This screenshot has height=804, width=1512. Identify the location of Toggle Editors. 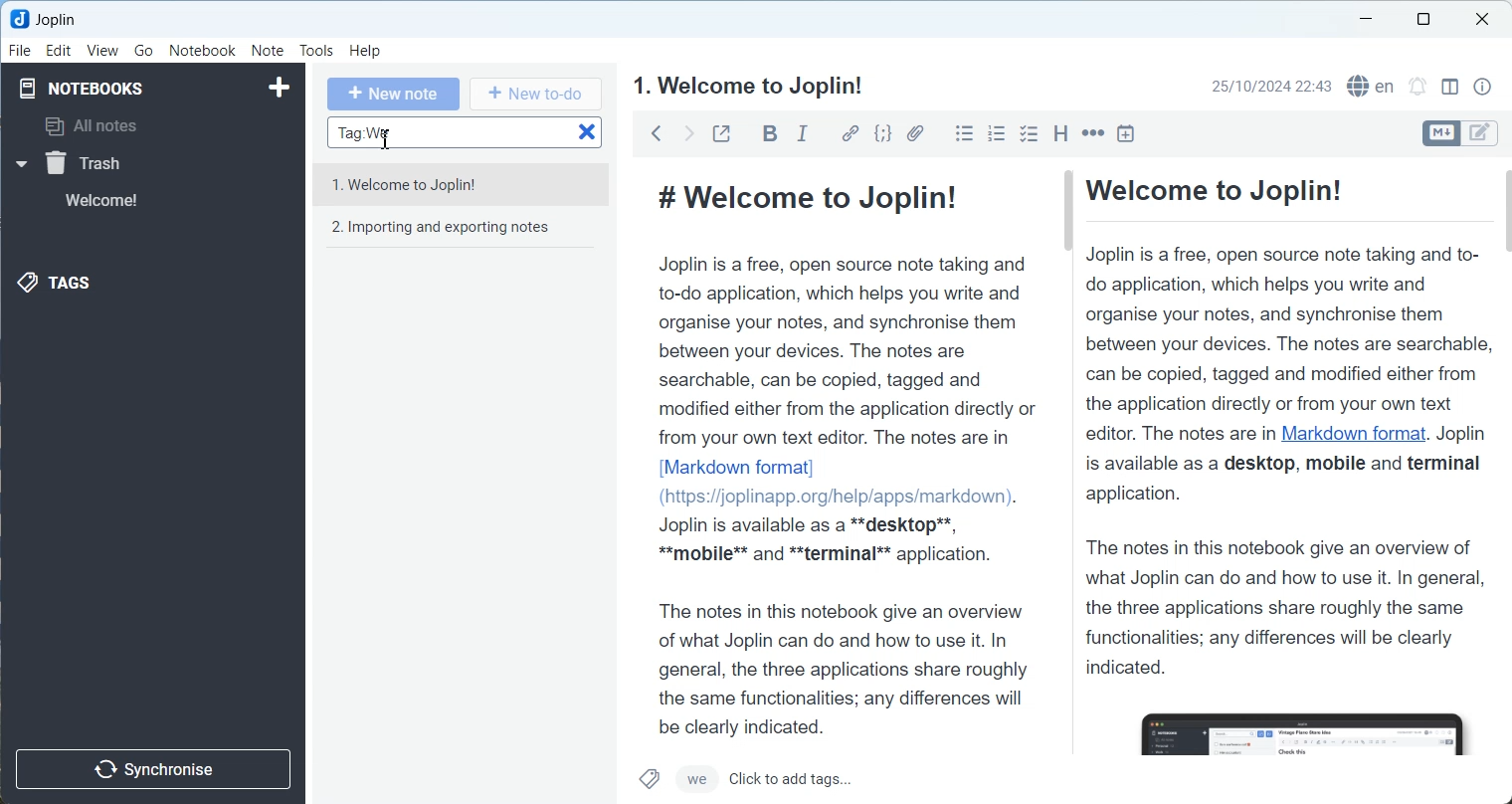
(1481, 132).